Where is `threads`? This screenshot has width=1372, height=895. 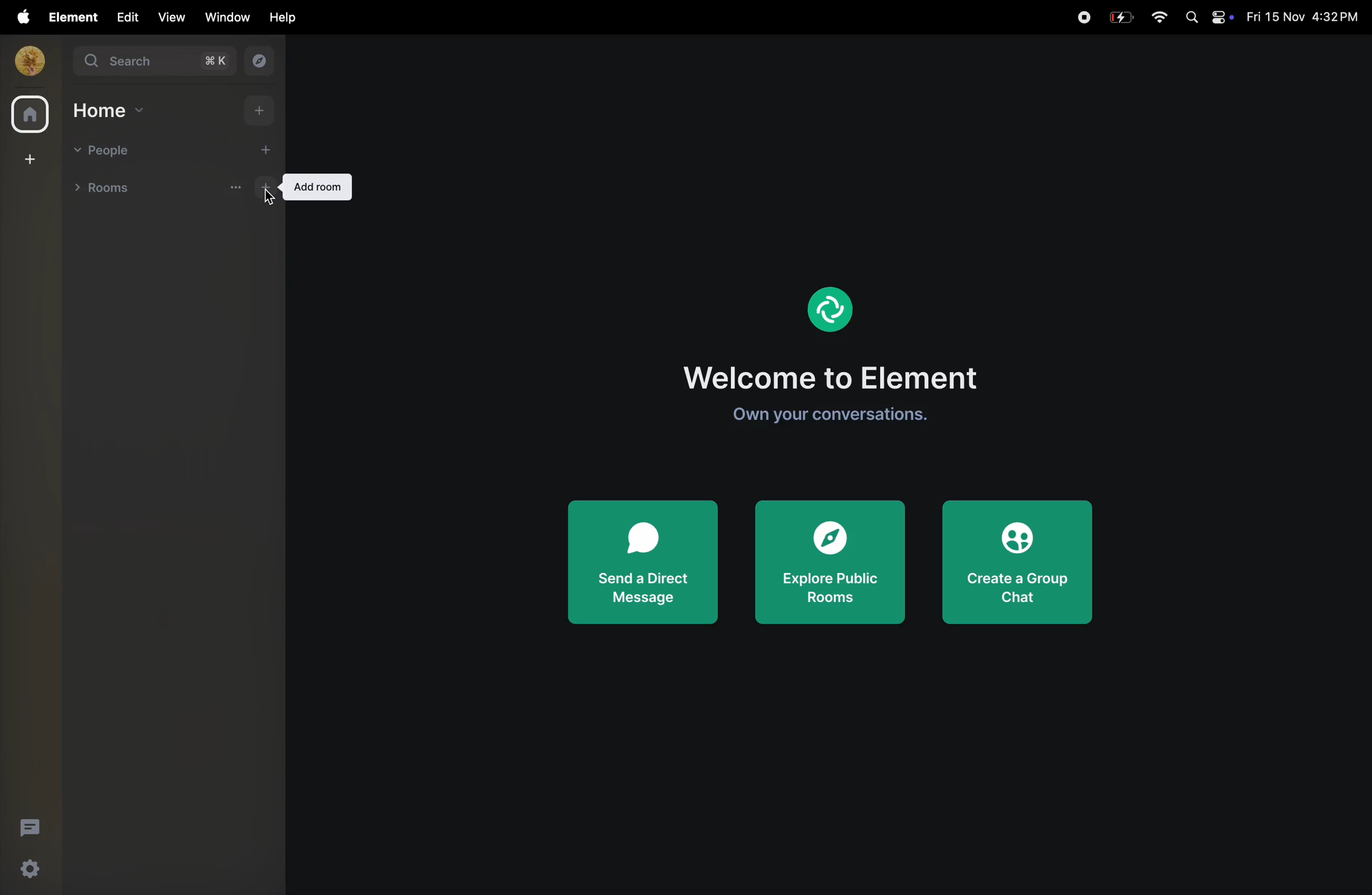
threads is located at coordinates (28, 827).